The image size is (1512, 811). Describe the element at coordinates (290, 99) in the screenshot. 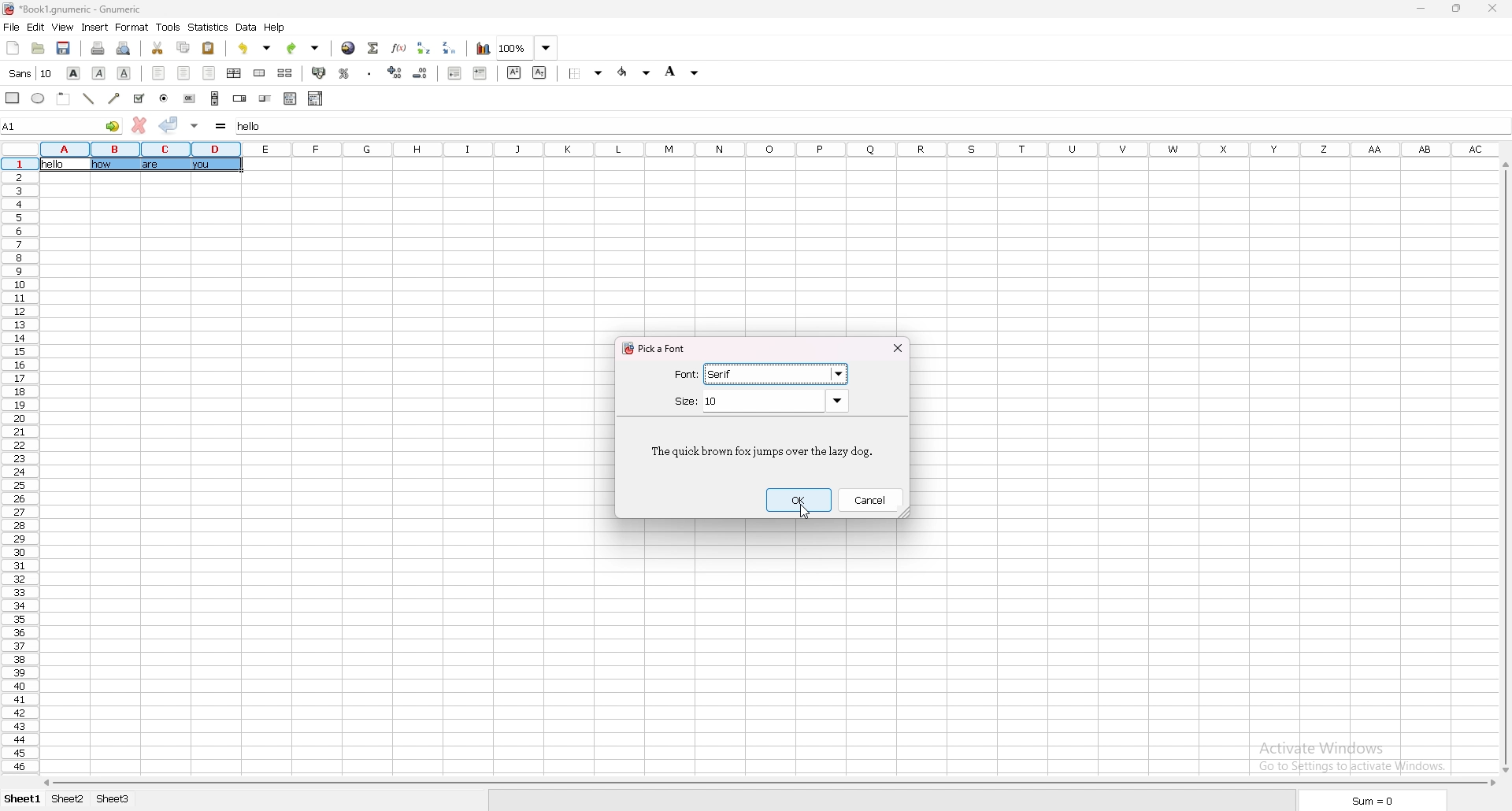

I see `list` at that location.